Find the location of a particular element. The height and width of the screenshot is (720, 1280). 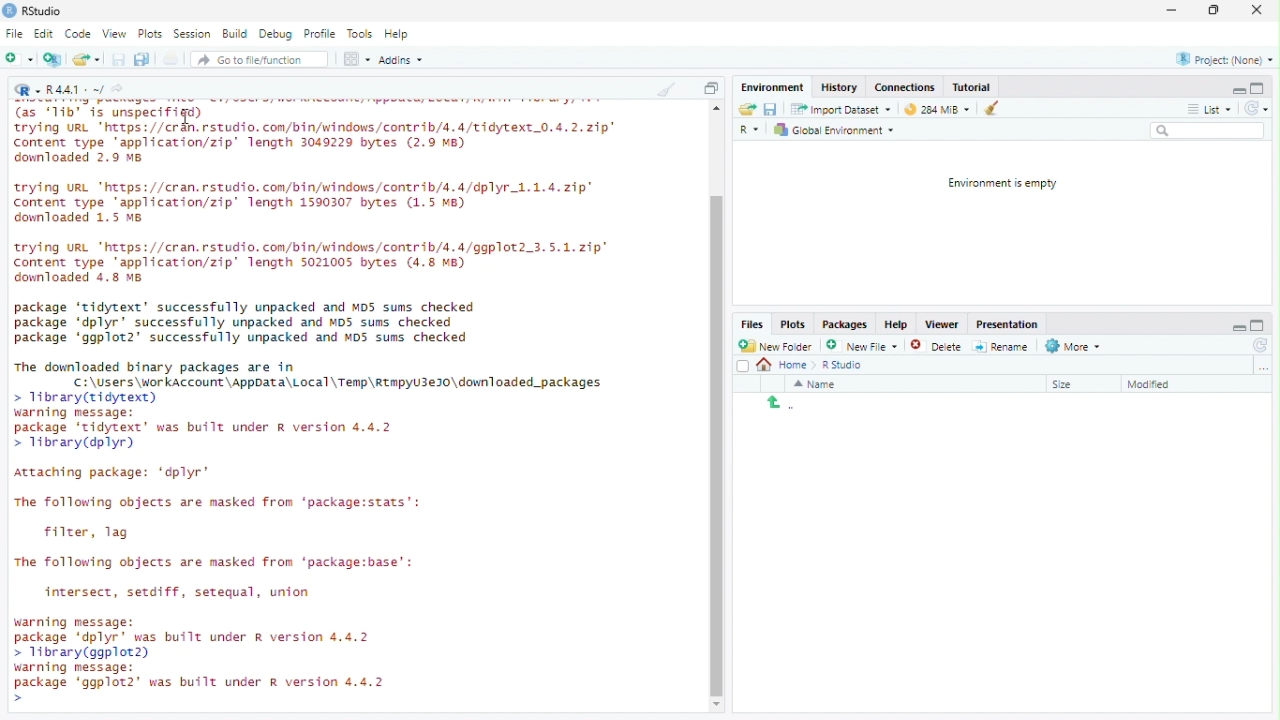

Packages is located at coordinates (845, 325).